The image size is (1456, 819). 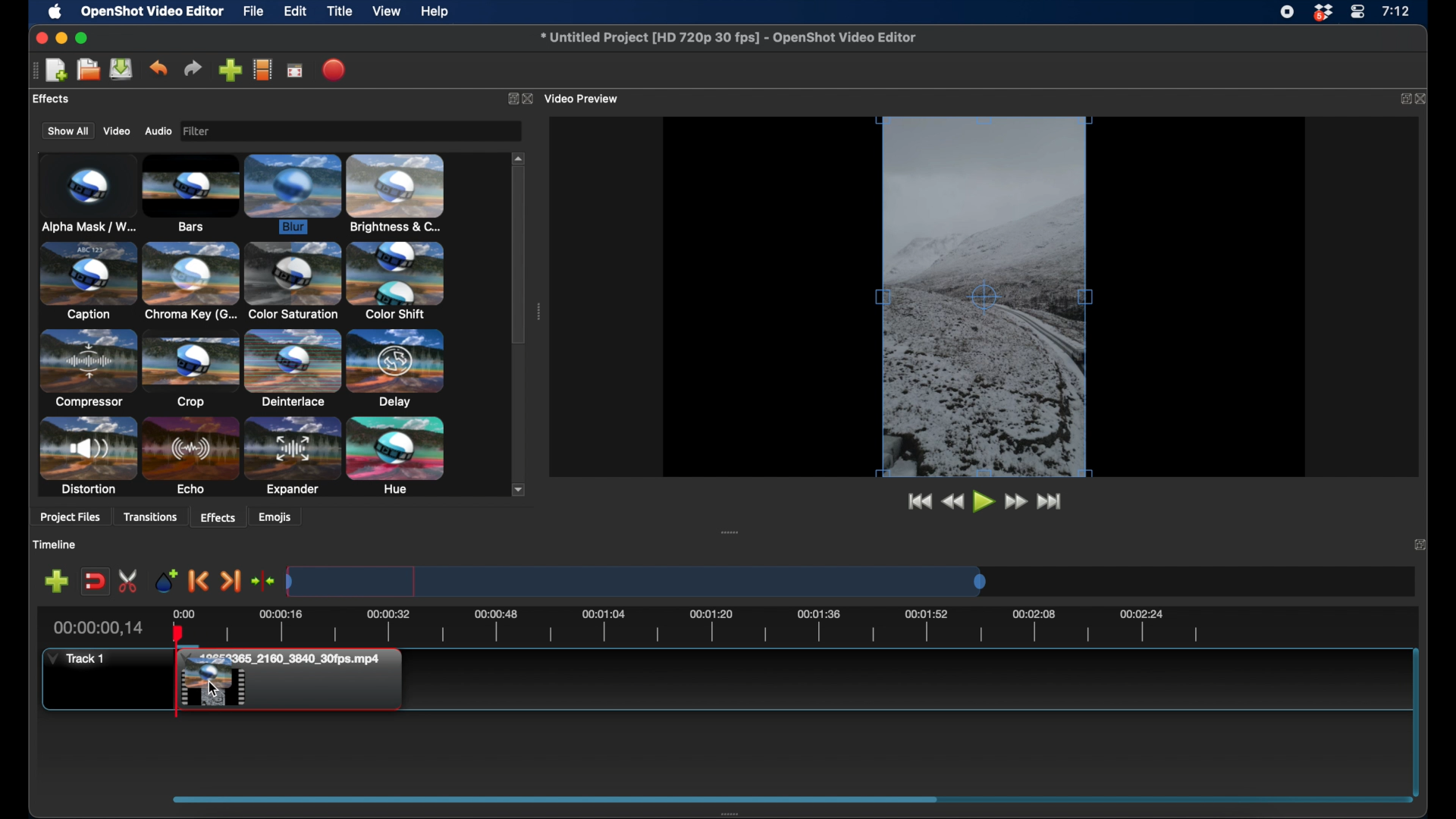 I want to click on chroma key, so click(x=191, y=281).